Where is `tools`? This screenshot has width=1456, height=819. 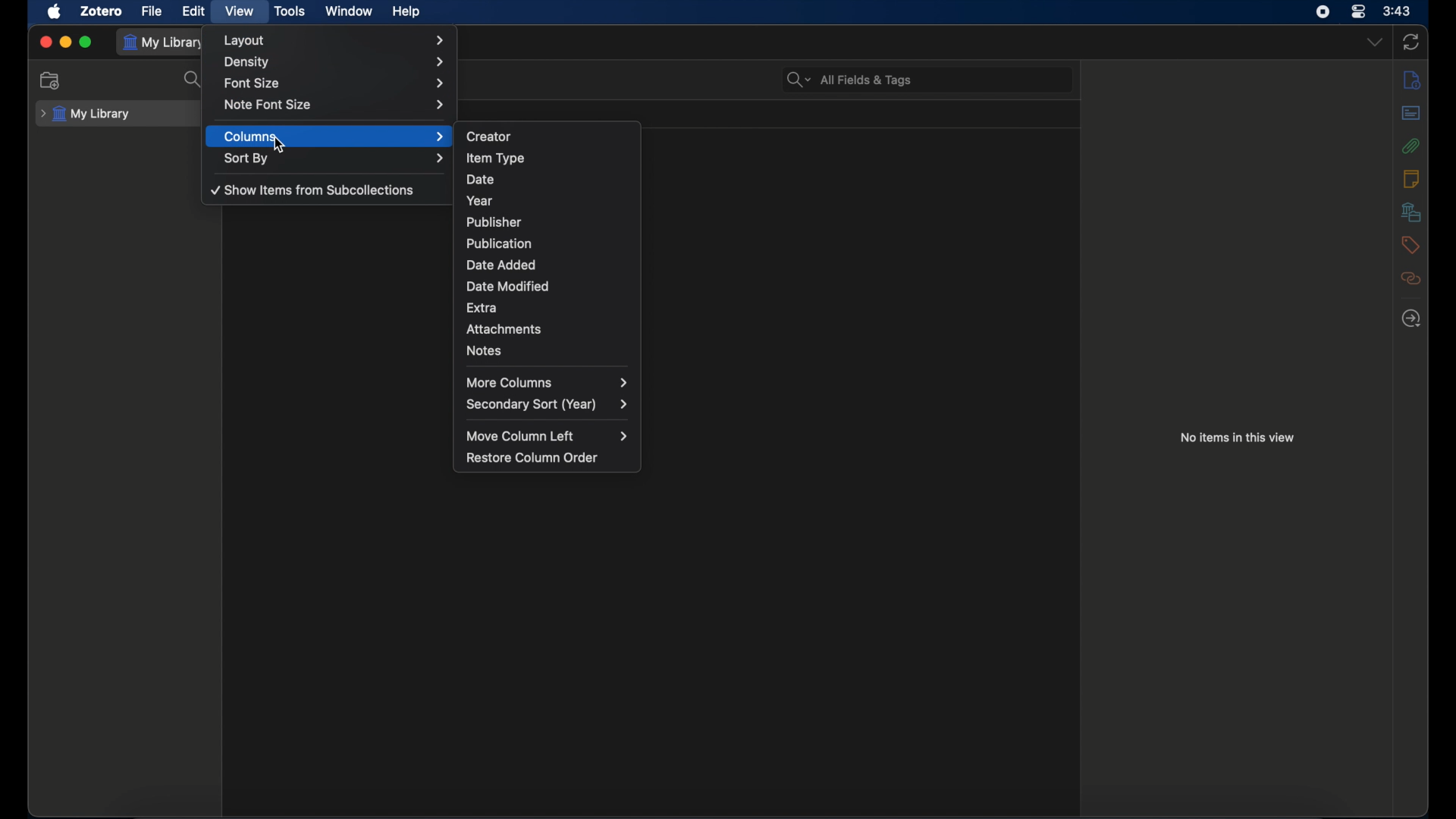 tools is located at coordinates (290, 11).